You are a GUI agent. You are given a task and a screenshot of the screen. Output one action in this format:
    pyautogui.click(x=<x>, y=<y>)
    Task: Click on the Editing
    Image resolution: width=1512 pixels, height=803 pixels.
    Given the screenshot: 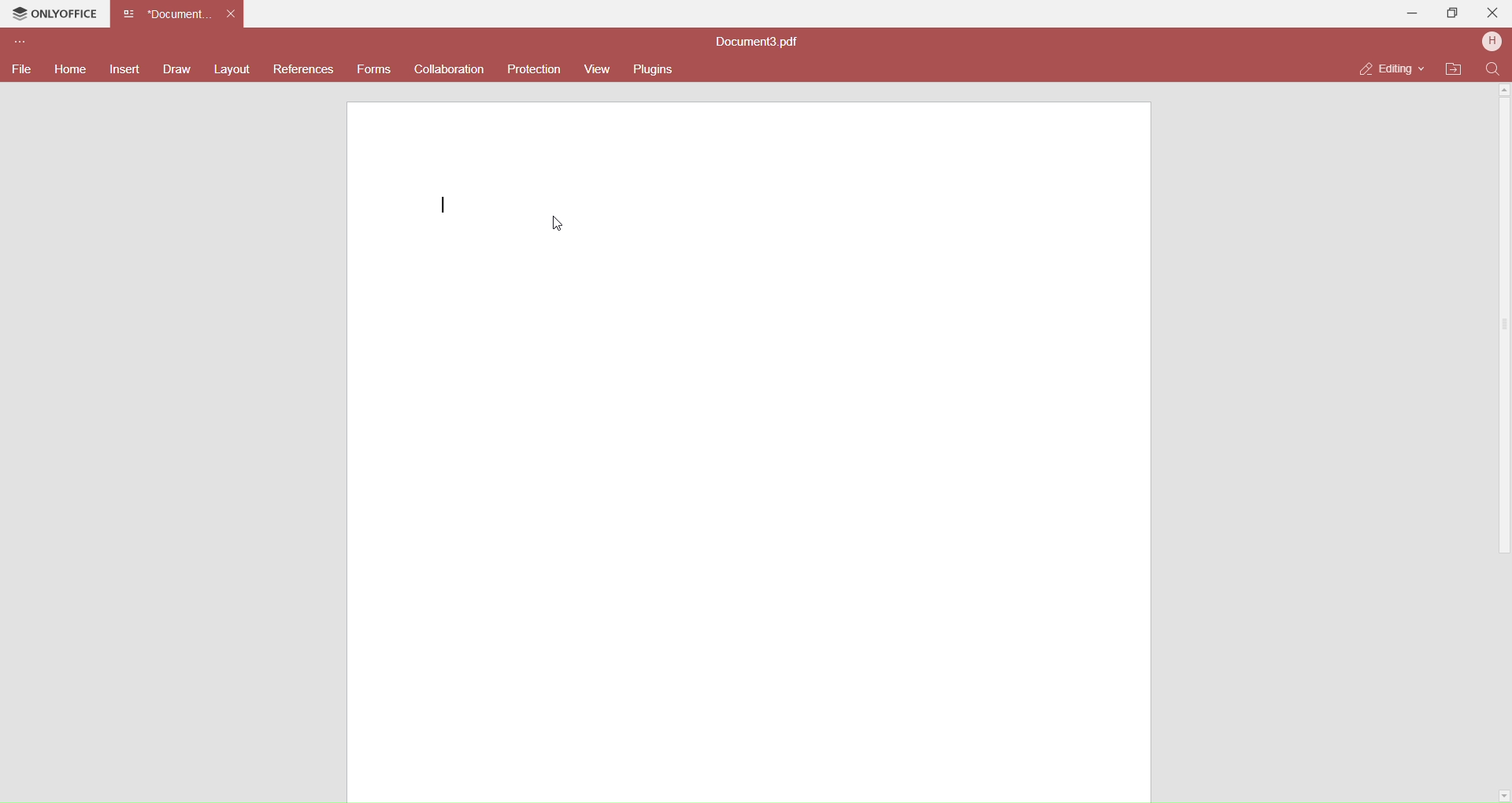 What is the action you would take?
    pyautogui.click(x=1385, y=68)
    